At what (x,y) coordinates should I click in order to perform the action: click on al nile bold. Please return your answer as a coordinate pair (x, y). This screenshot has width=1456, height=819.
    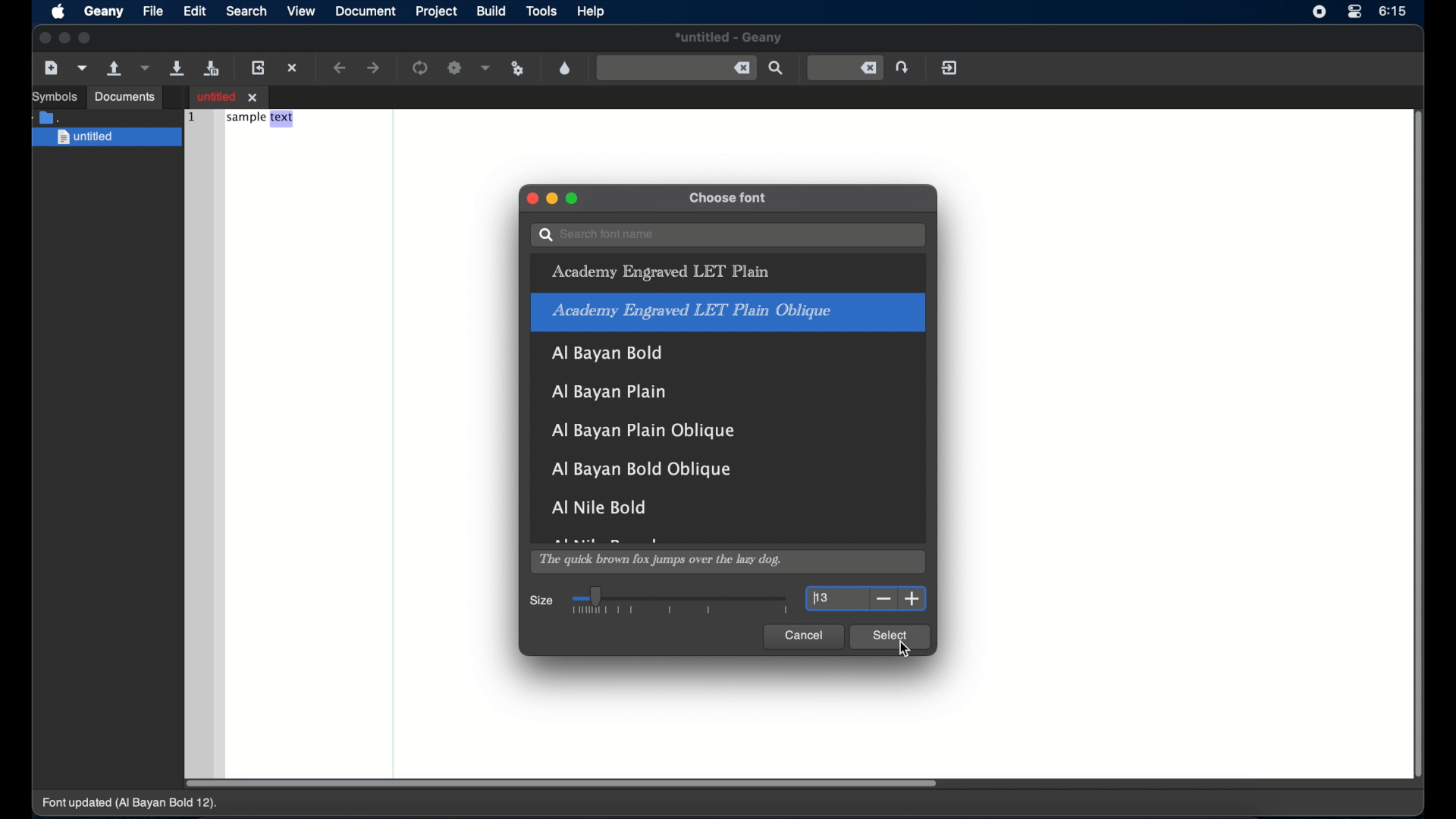
    Looking at the image, I should click on (600, 507).